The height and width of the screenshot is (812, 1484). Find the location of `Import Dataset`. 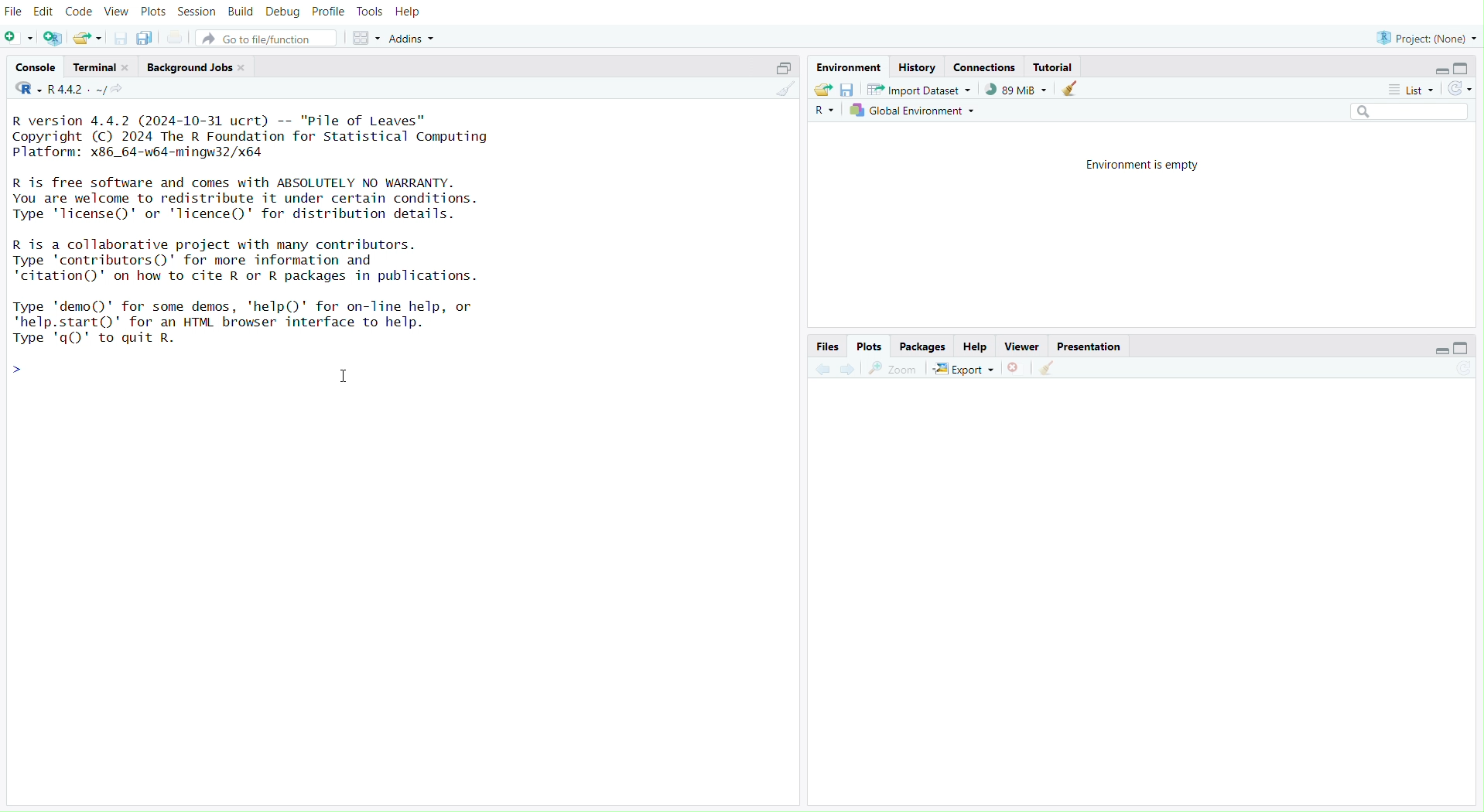

Import Dataset is located at coordinates (922, 90).